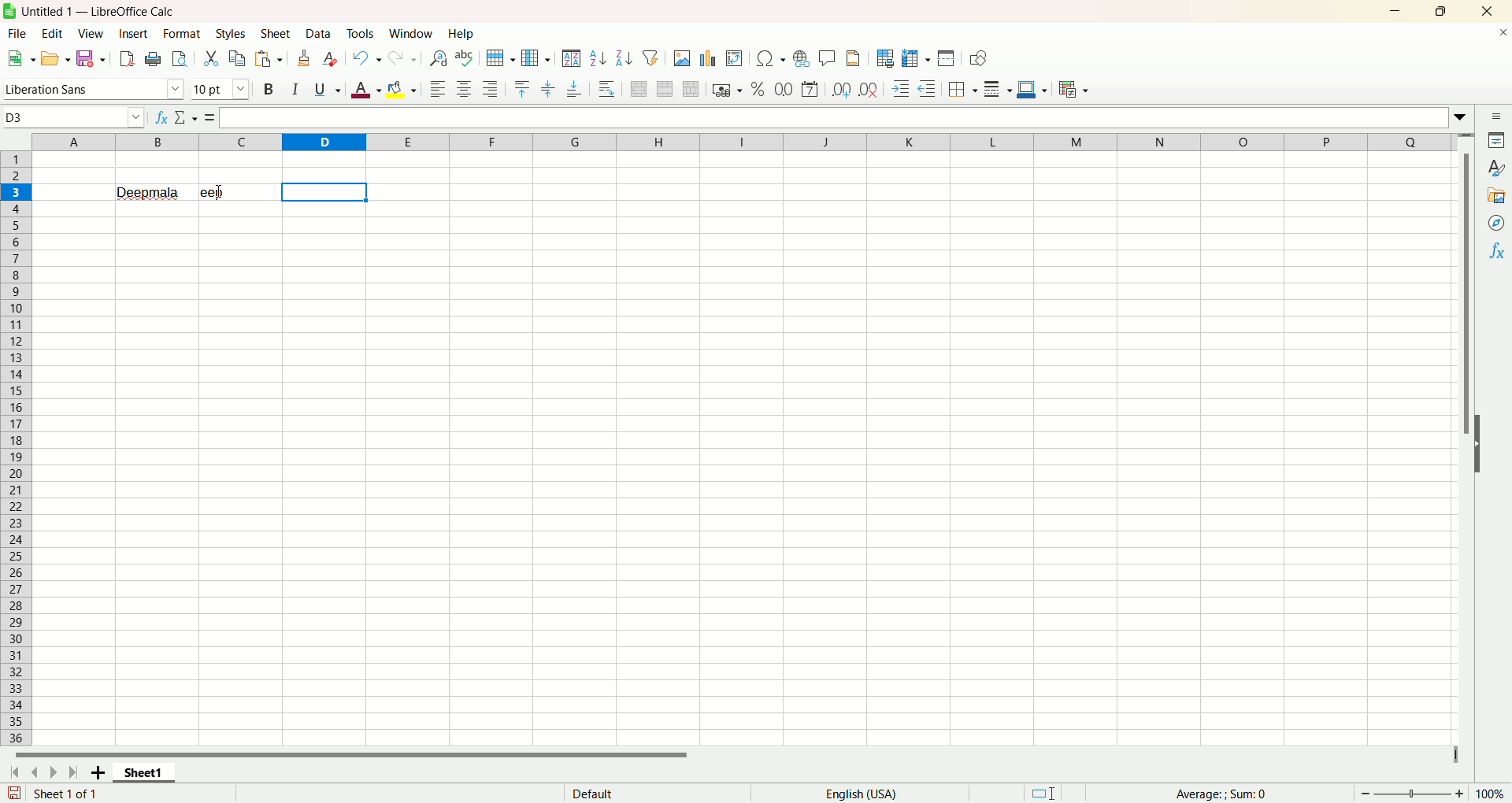 This screenshot has width=1512, height=803. What do you see at coordinates (639, 88) in the screenshot?
I see `Merge and center` at bounding box center [639, 88].